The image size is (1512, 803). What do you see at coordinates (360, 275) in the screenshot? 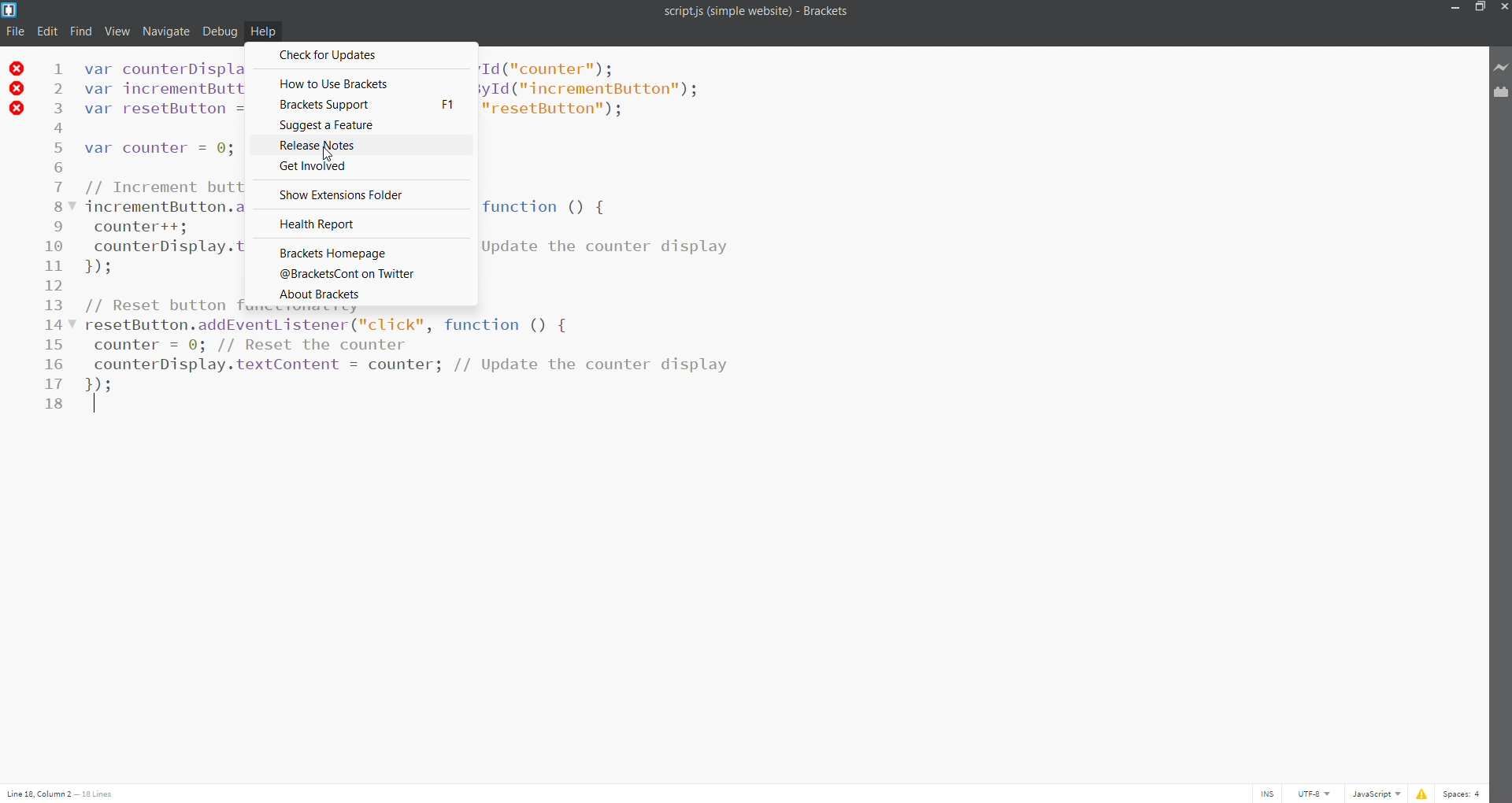
I see `bracketsCont on Twitter` at bounding box center [360, 275].